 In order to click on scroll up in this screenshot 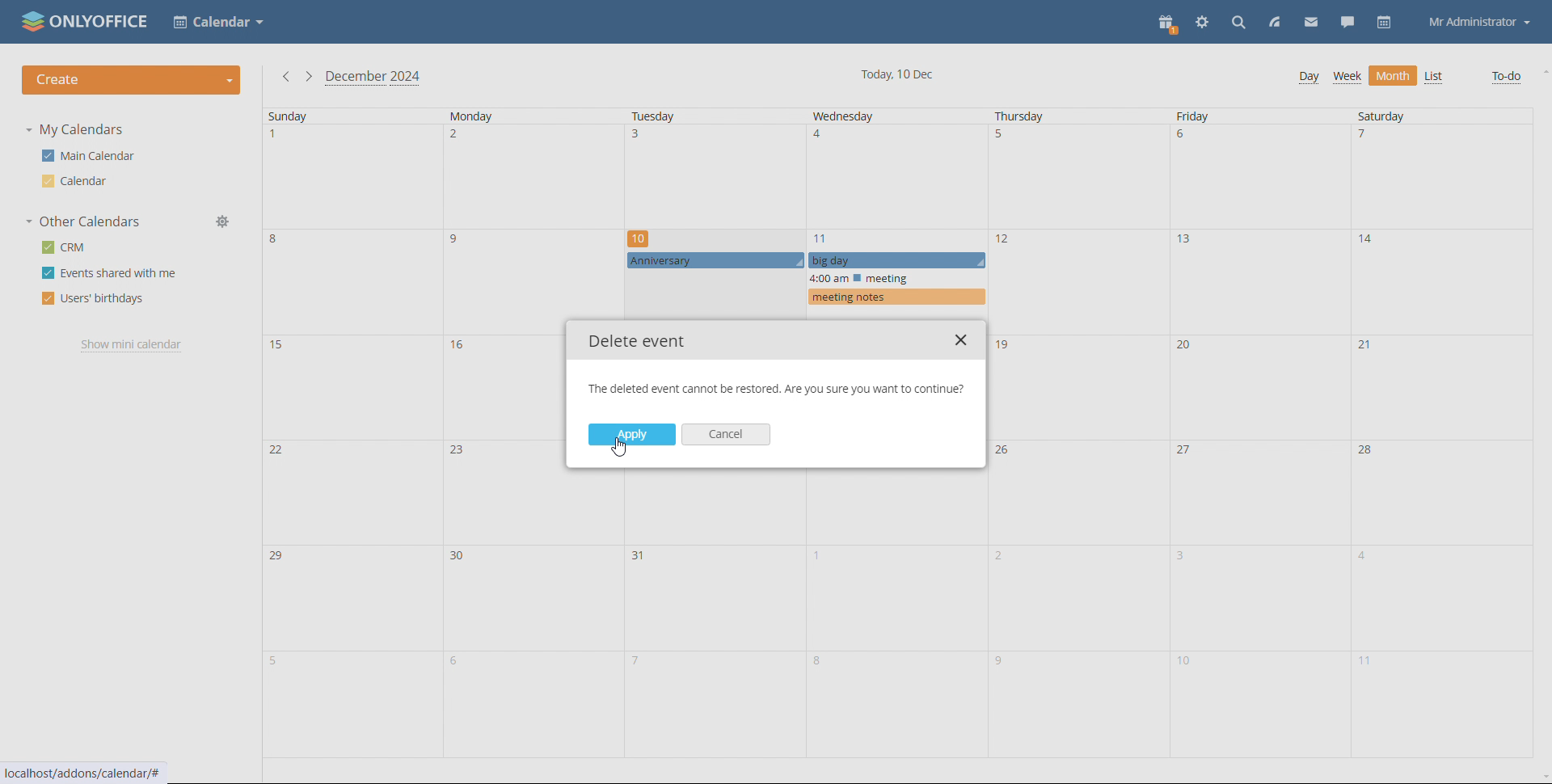, I will do `click(1542, 71)`.